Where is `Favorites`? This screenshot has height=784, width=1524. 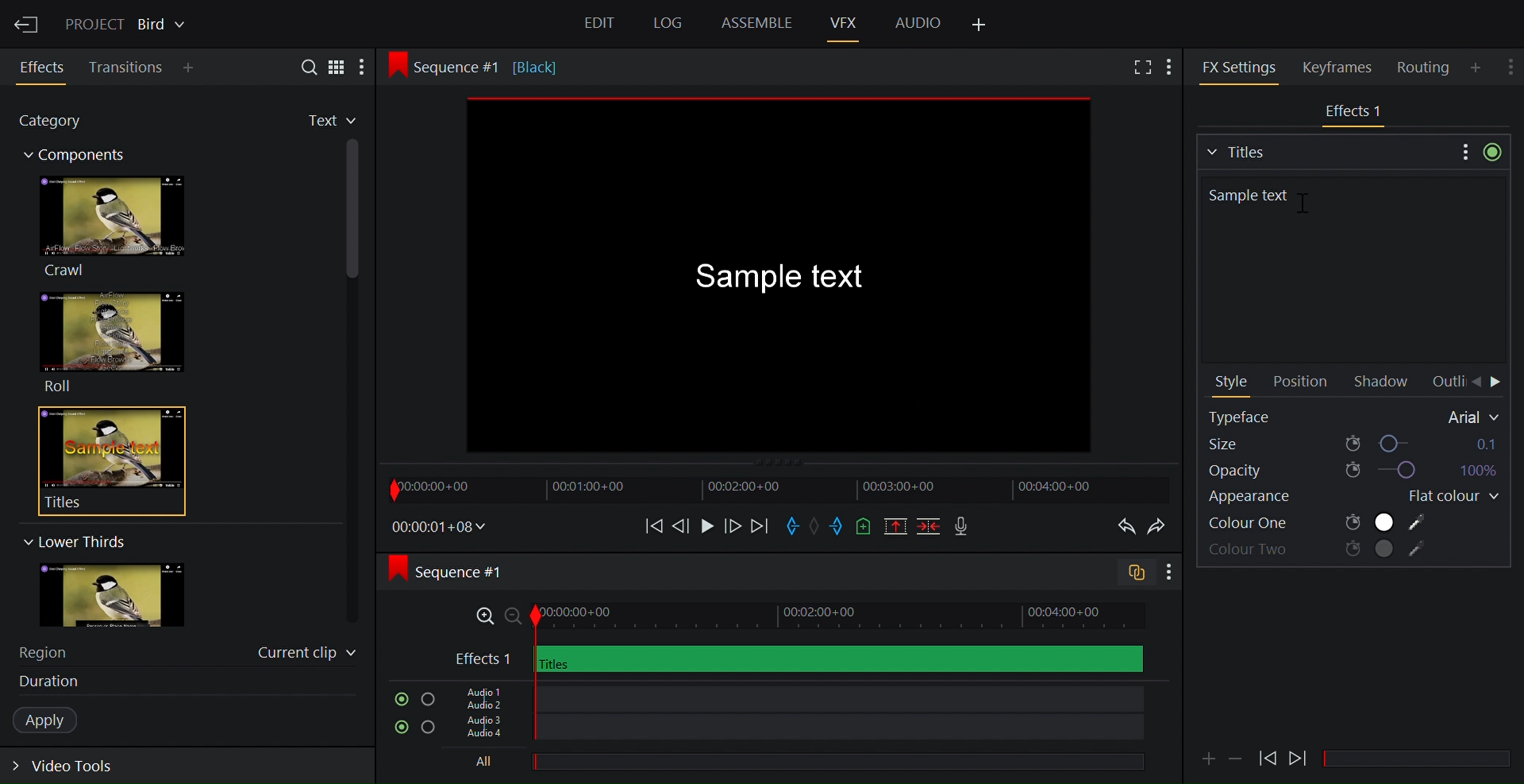 Favorites is located at coordinates (318, 121).